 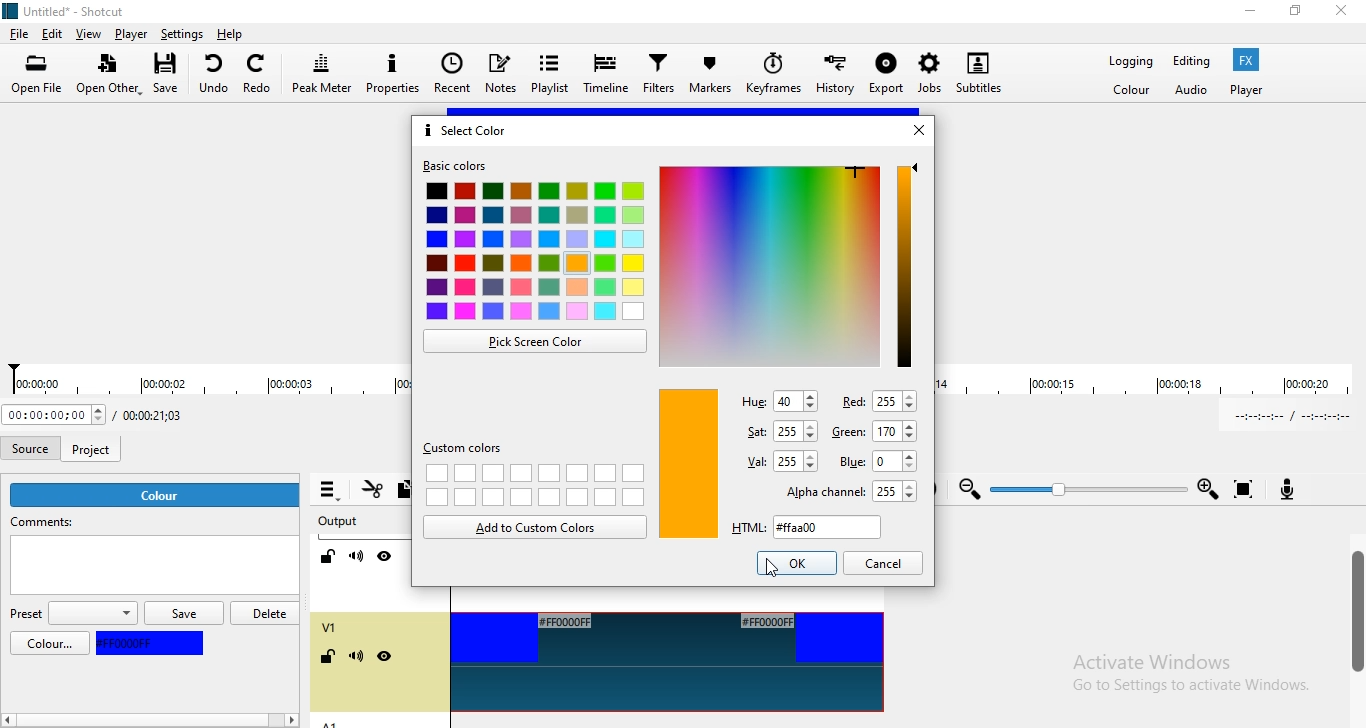 What do you see at coordinates (453, 72) in the screenshot?
I see `Recent` at bounding box center [453, 72].